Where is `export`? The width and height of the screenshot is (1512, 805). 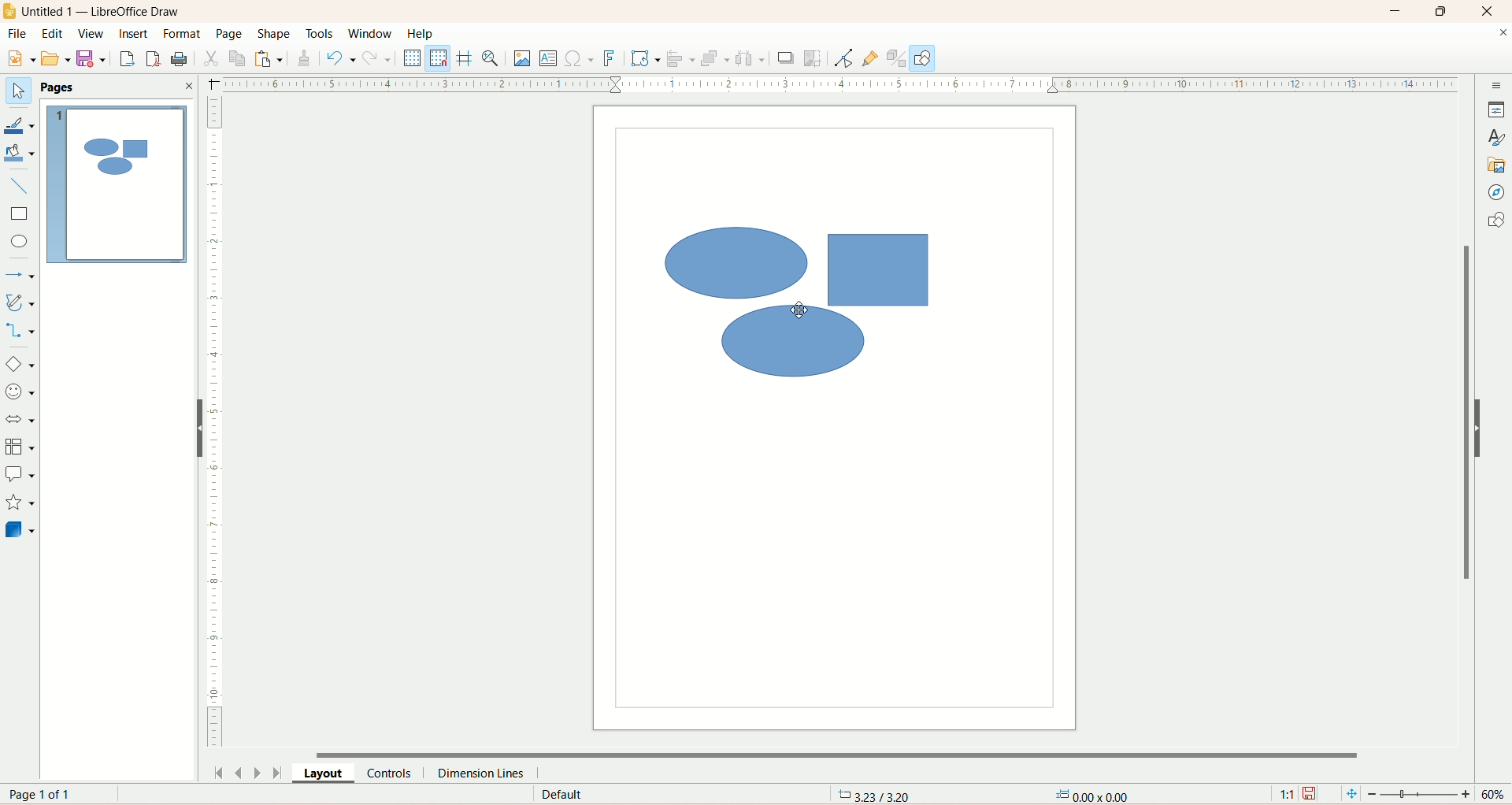 export is located at coordinates (125, 59).